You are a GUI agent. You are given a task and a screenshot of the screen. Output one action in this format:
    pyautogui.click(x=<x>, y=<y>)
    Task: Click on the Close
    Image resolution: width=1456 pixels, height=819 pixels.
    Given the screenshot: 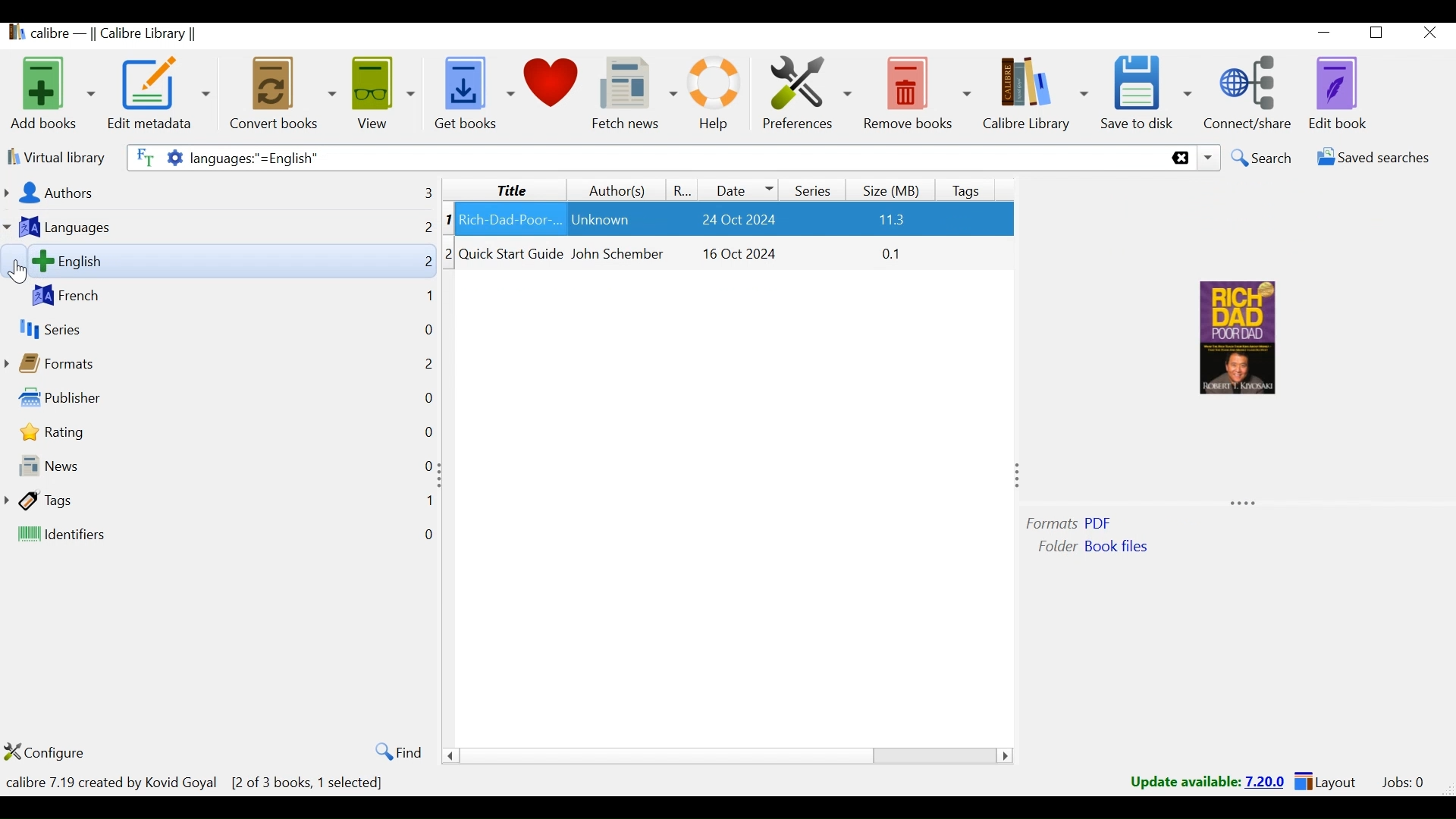 What is the action you would take?
    pyautogui.click(x=1430, y=34)
    